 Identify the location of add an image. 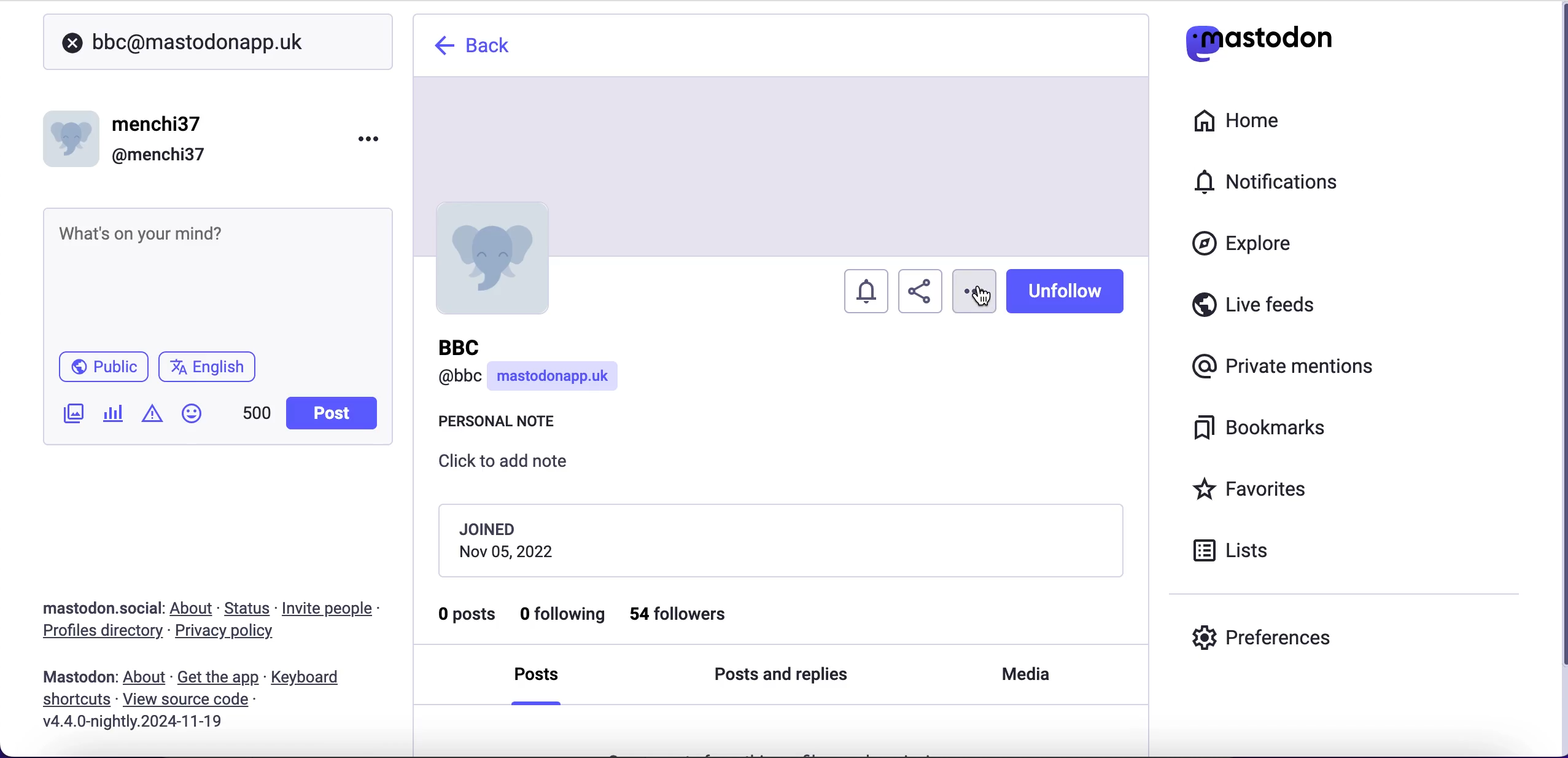
(72, 413).